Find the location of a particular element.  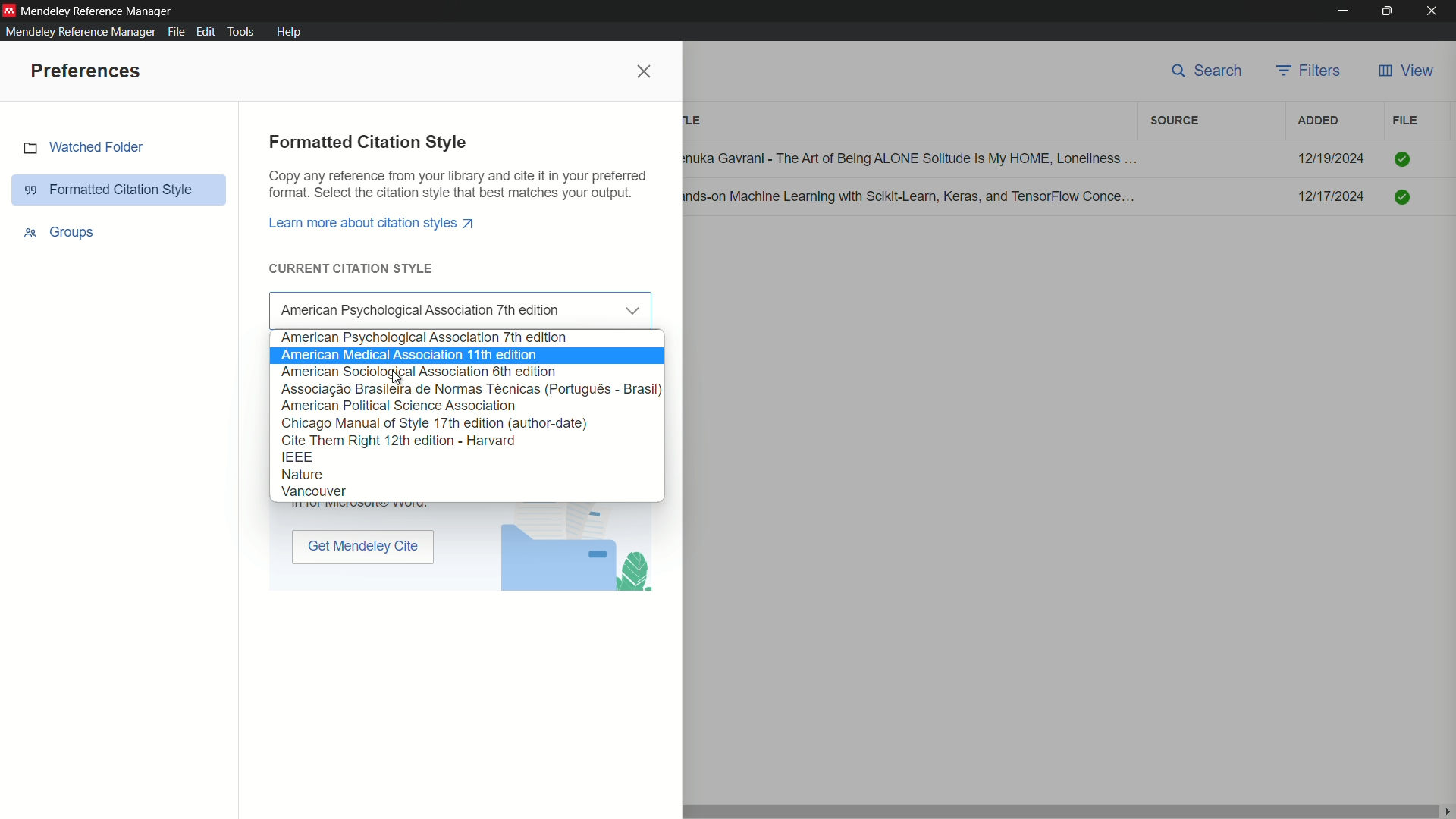

watched folder is located at coordinates (83, 149).